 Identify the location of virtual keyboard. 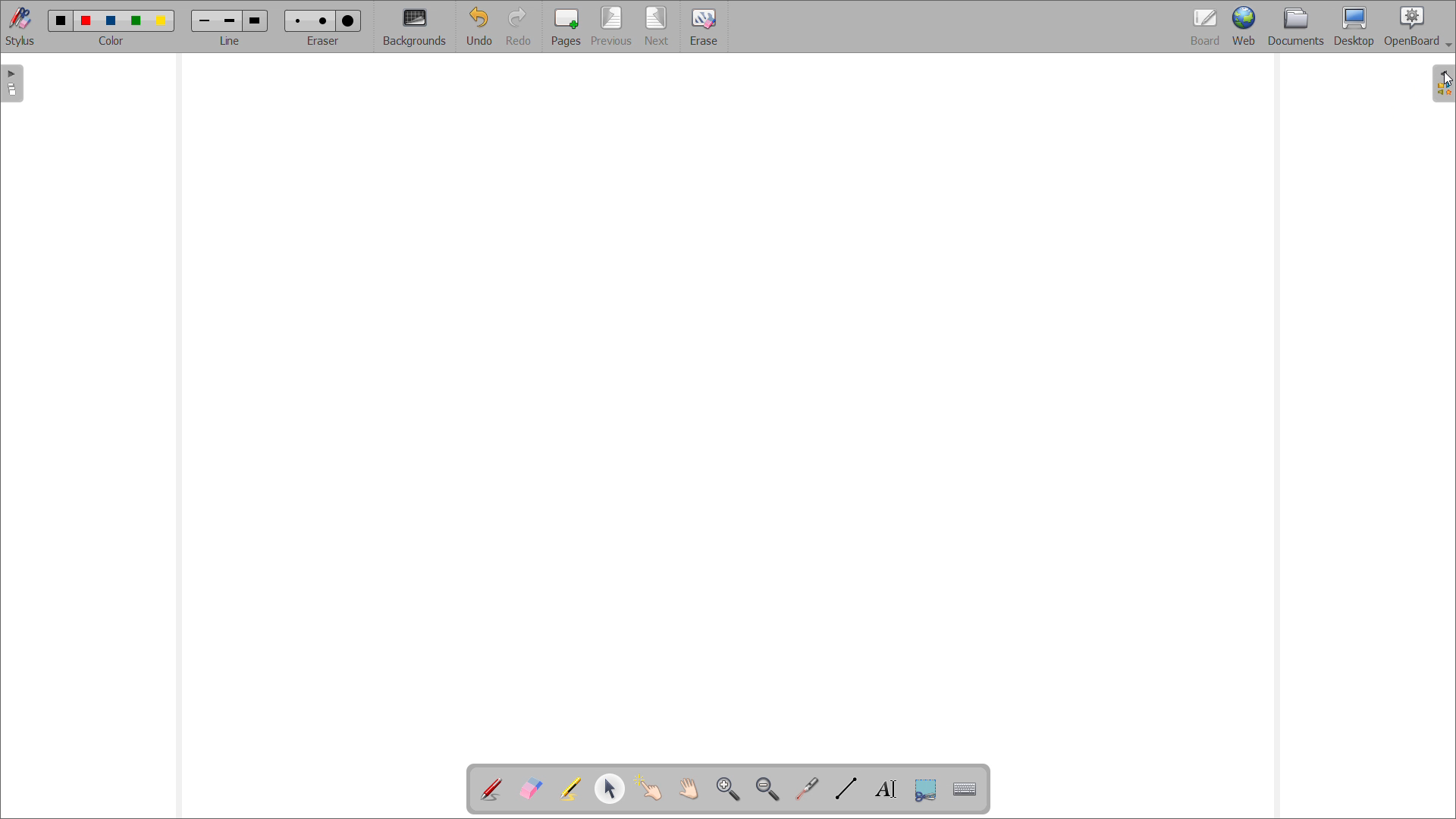
(965, 789).